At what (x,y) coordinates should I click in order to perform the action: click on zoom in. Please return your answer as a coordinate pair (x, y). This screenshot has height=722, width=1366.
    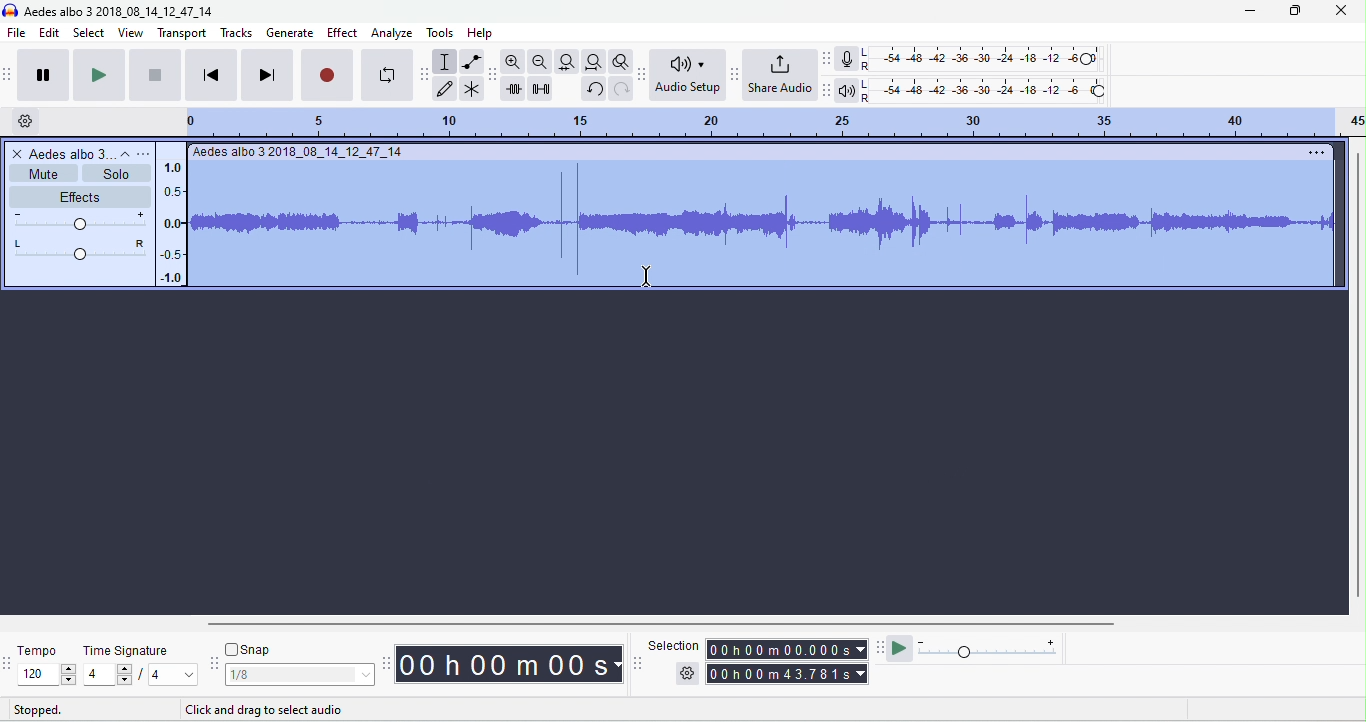
    Looking at the image, I should click on (512, 61).